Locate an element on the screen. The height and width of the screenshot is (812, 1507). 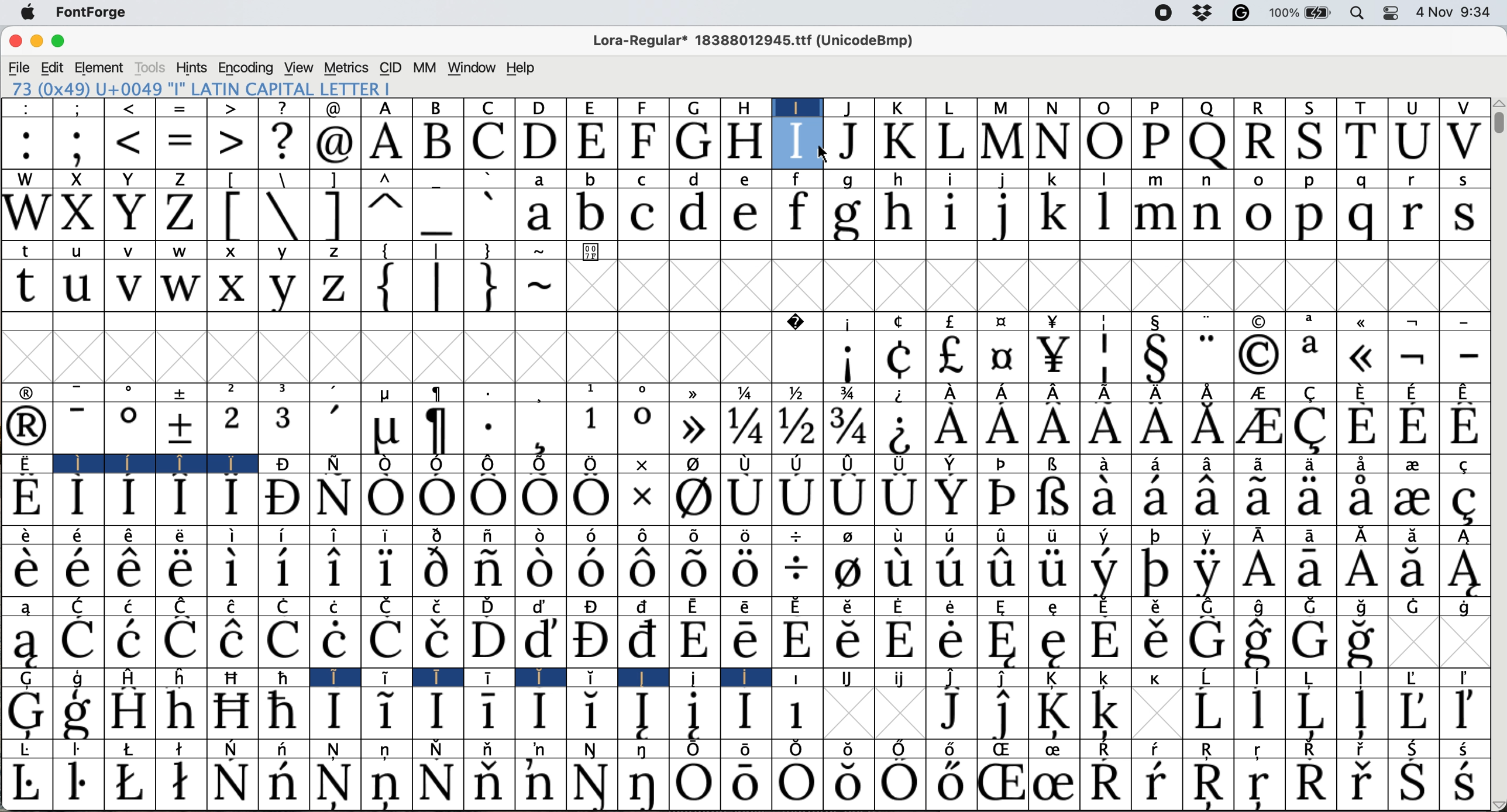
m is located at coordinates (1004, 108).